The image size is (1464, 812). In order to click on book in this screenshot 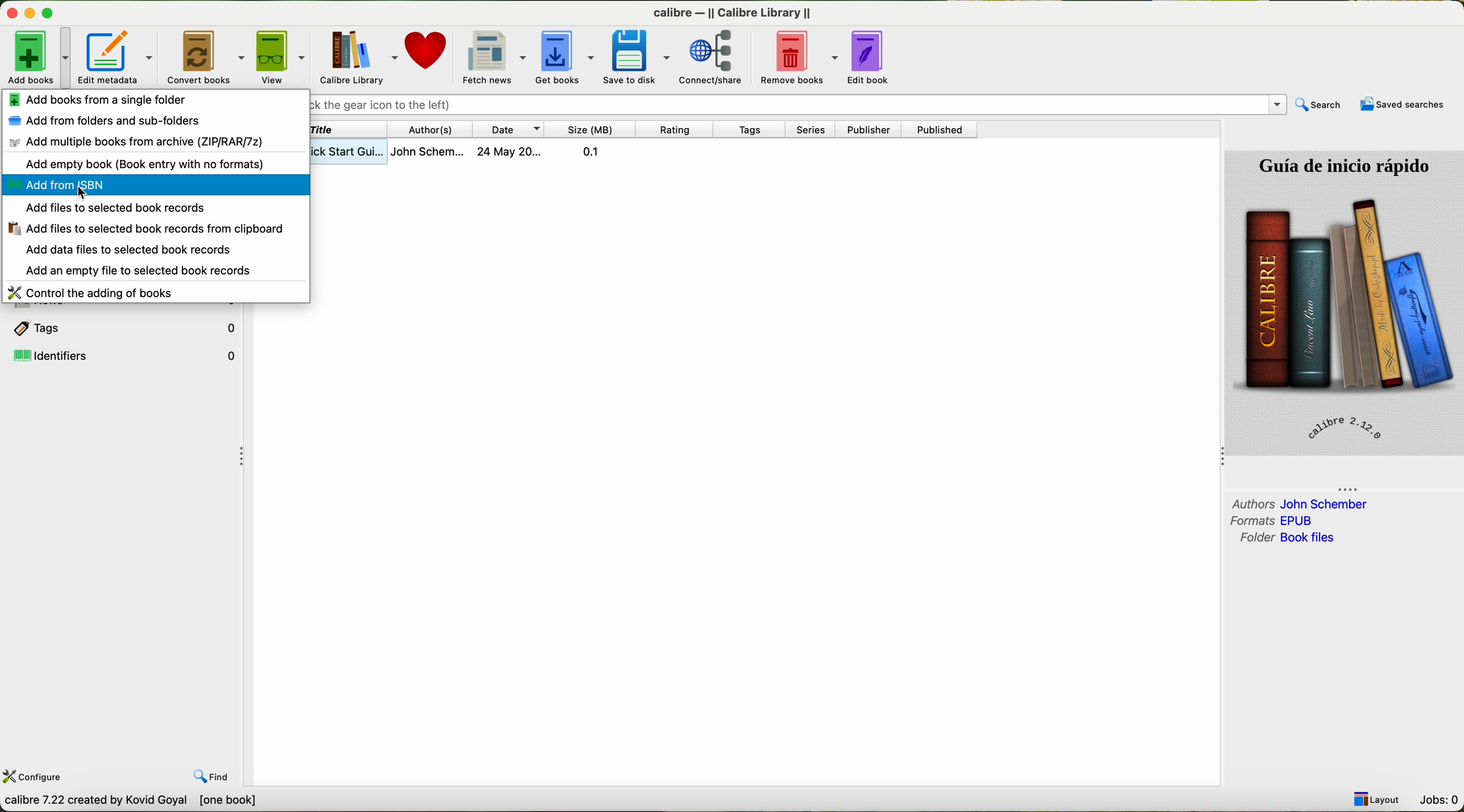, I will do `click(473, 150)`.